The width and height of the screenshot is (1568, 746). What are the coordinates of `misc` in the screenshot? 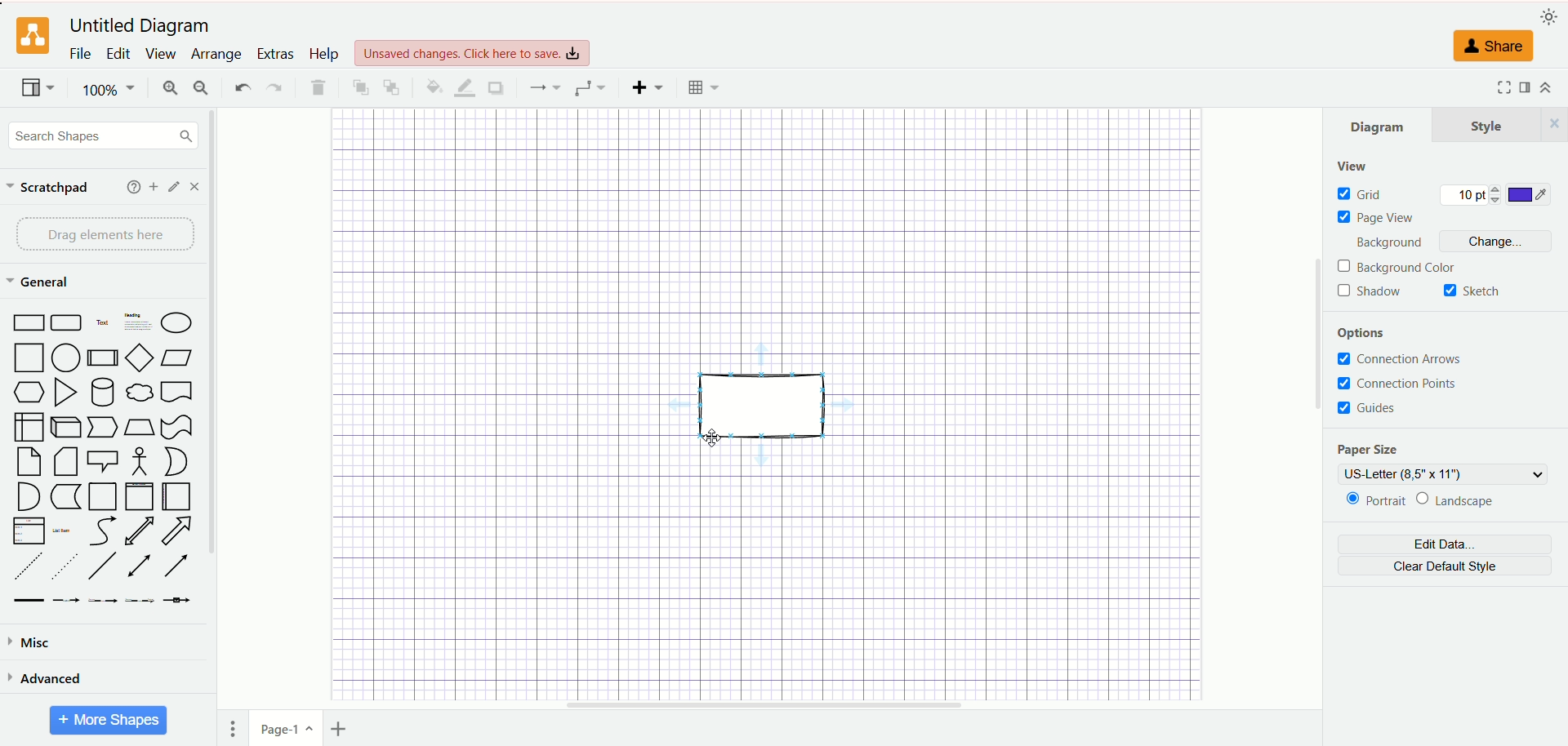 It's located at (33, 643).